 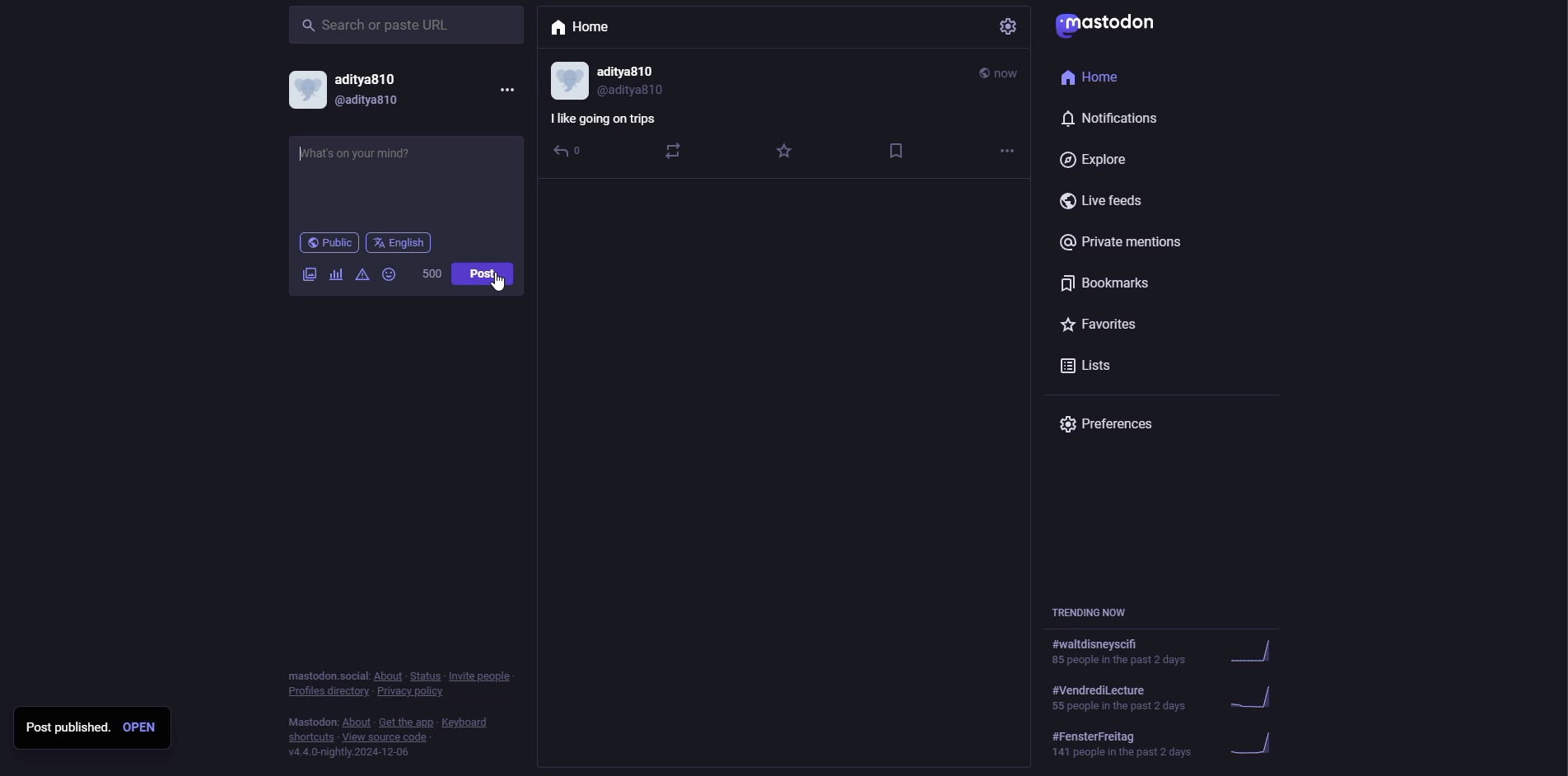 I want to click on private mentions, so click(x=1133, y=245).